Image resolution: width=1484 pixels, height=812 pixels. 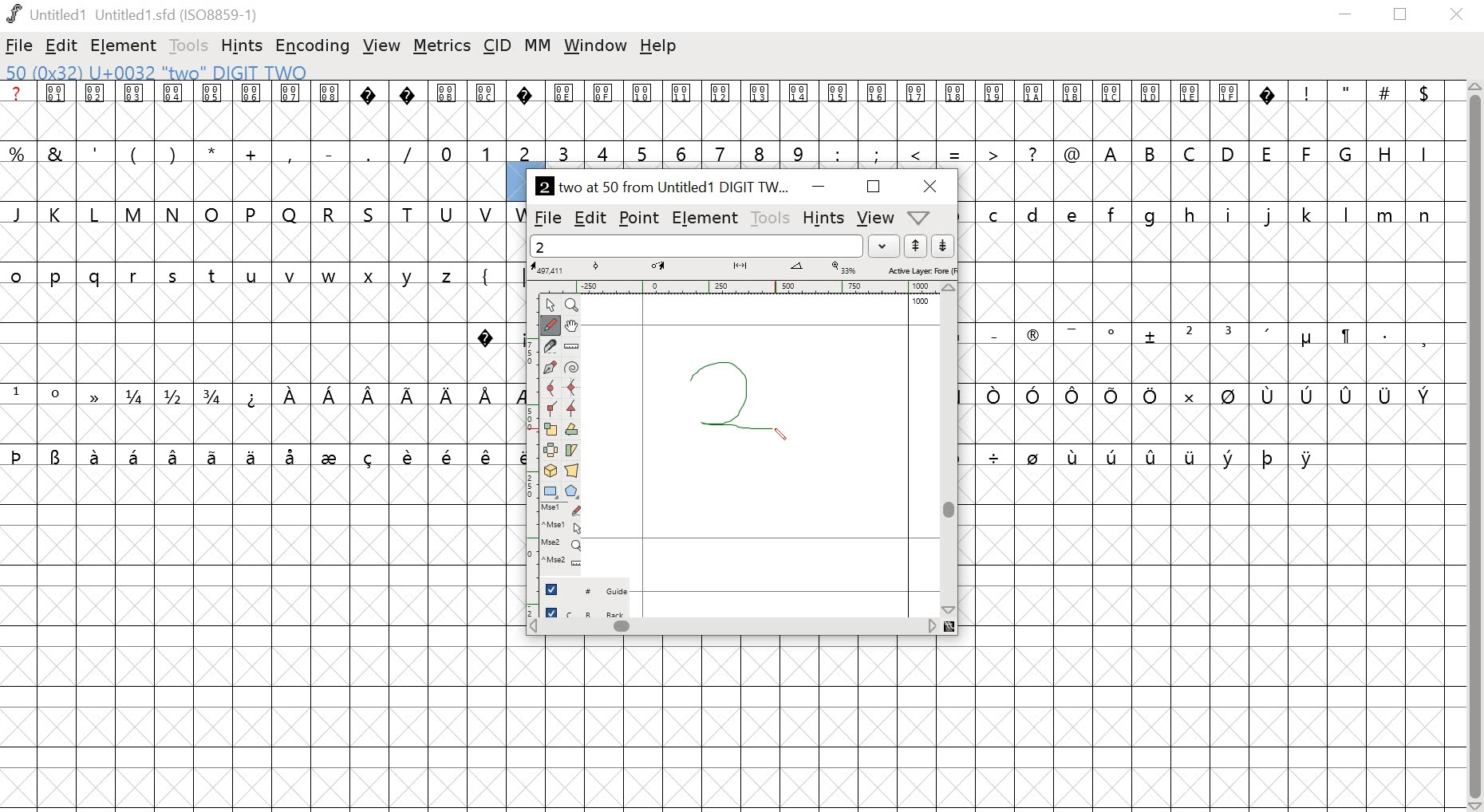 What do you see at coordinates (983, 122) in the screenshot?
I see `glyphs` at bounding box center [983, 122].